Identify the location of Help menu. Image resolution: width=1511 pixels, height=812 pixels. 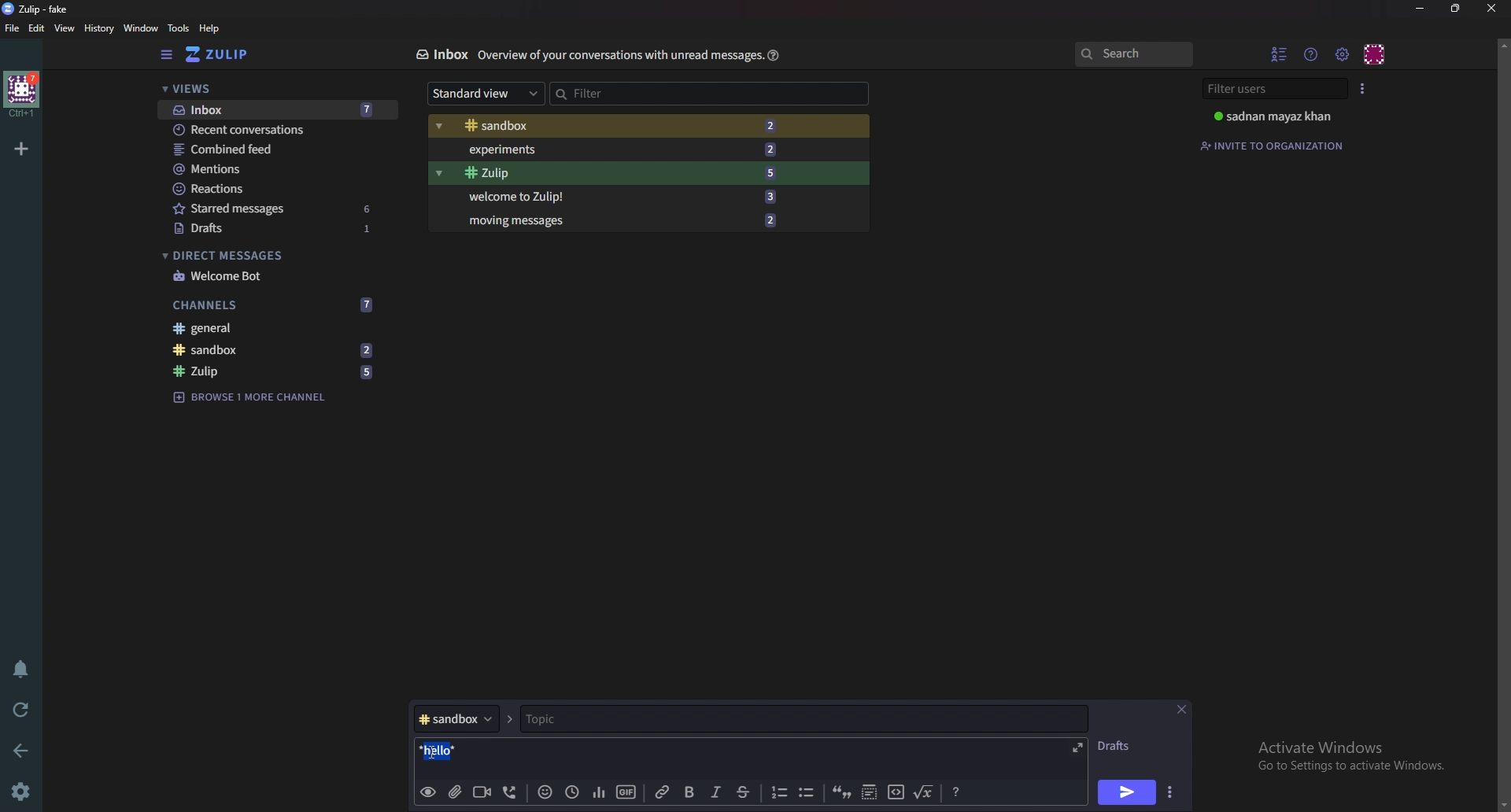
(1311, 54).